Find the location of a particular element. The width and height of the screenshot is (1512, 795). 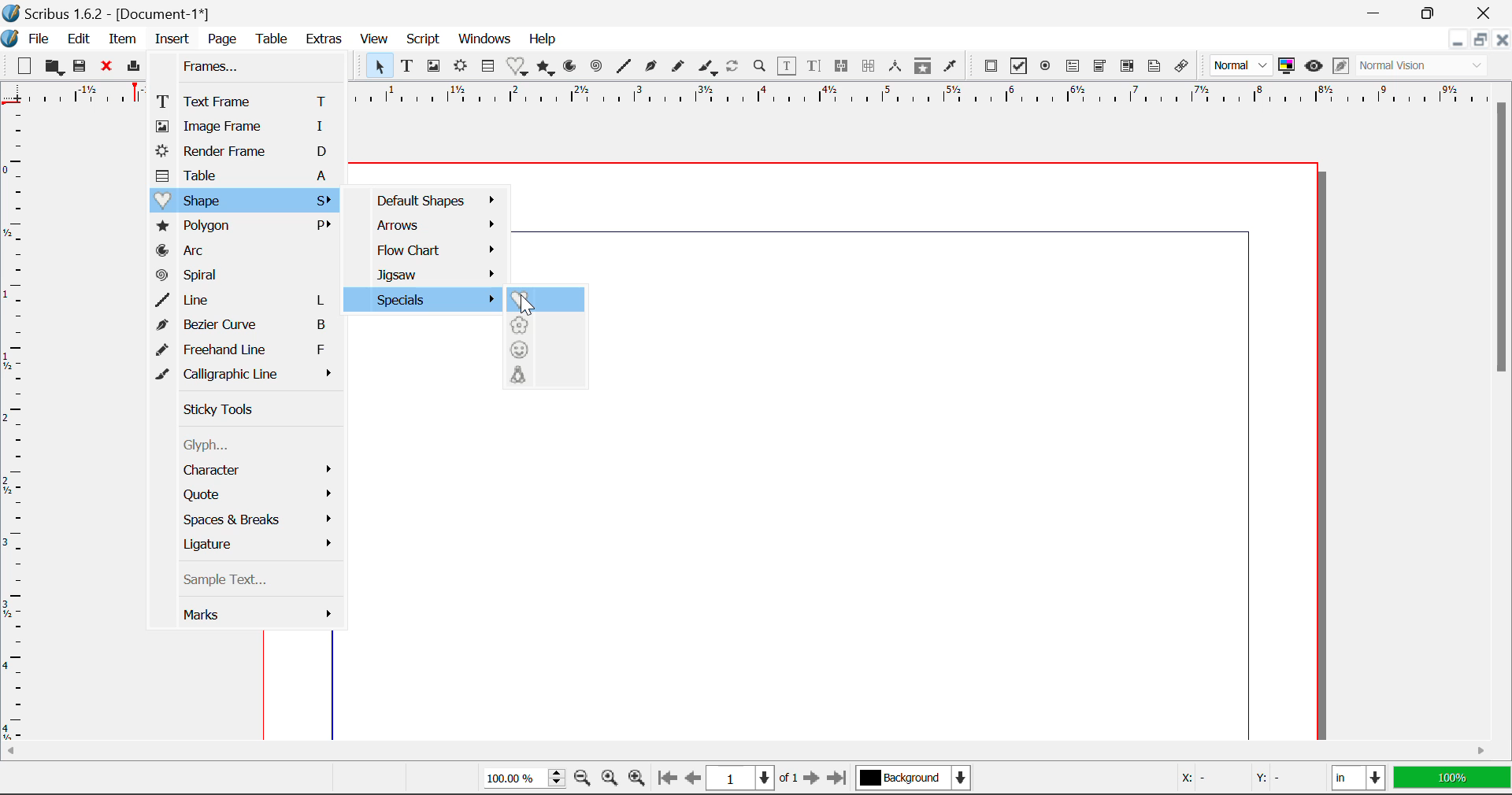

Marks is located at coordinates (260, 618).